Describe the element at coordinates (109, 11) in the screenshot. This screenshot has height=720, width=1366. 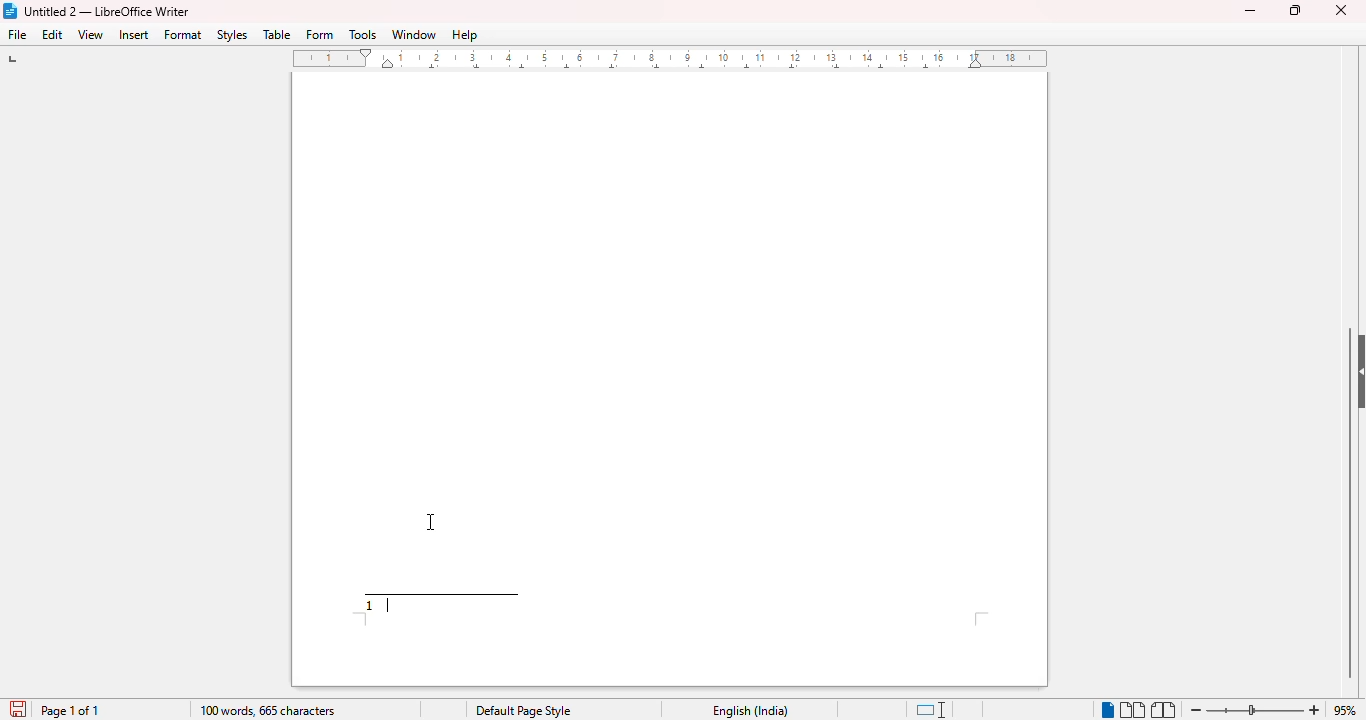
I see `Untitled 2 -- LibreOffice Writer` at that location.